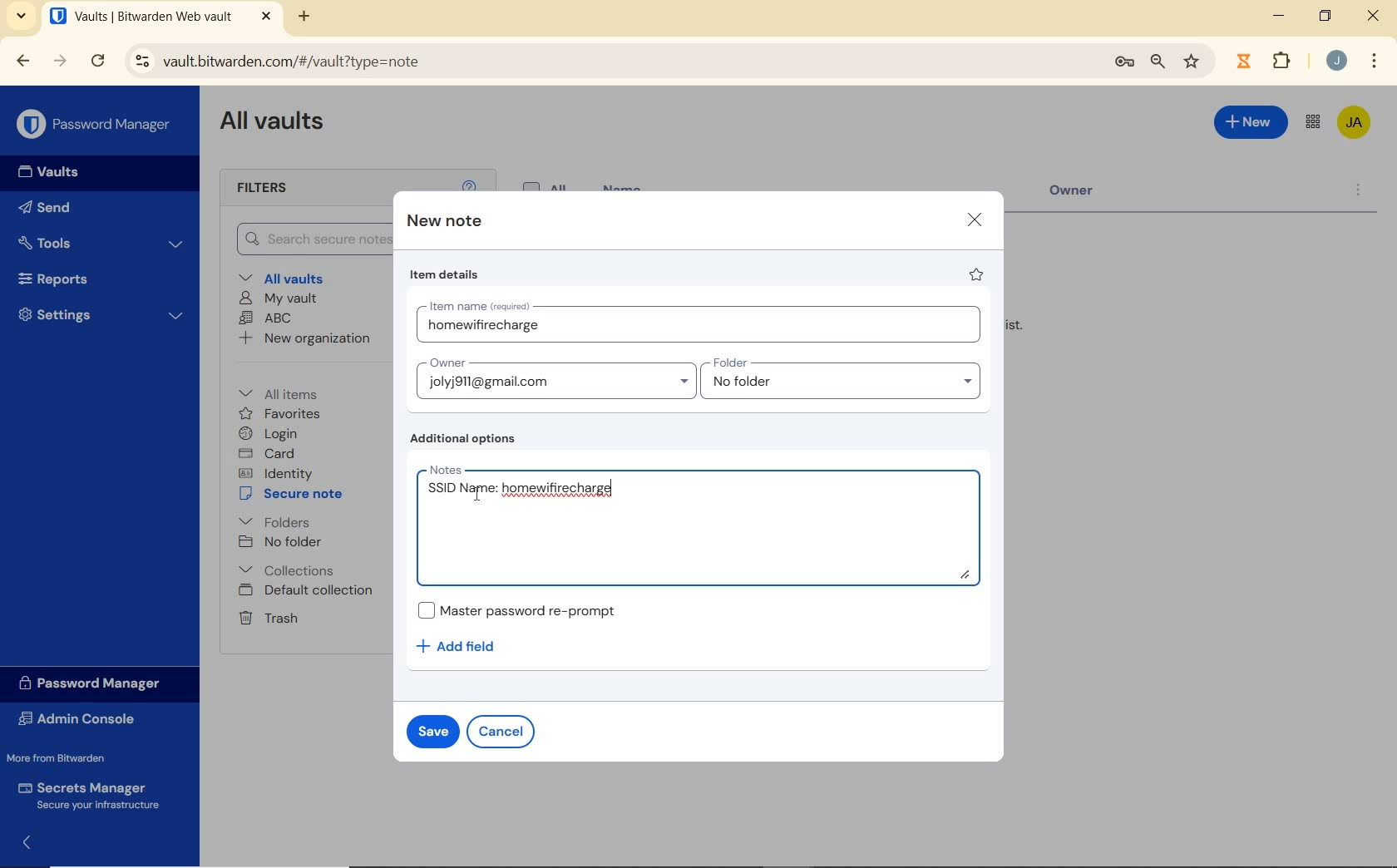 The height and width of the screenshot is (868, 1397). I want to click on Trash, so click(268, 618).